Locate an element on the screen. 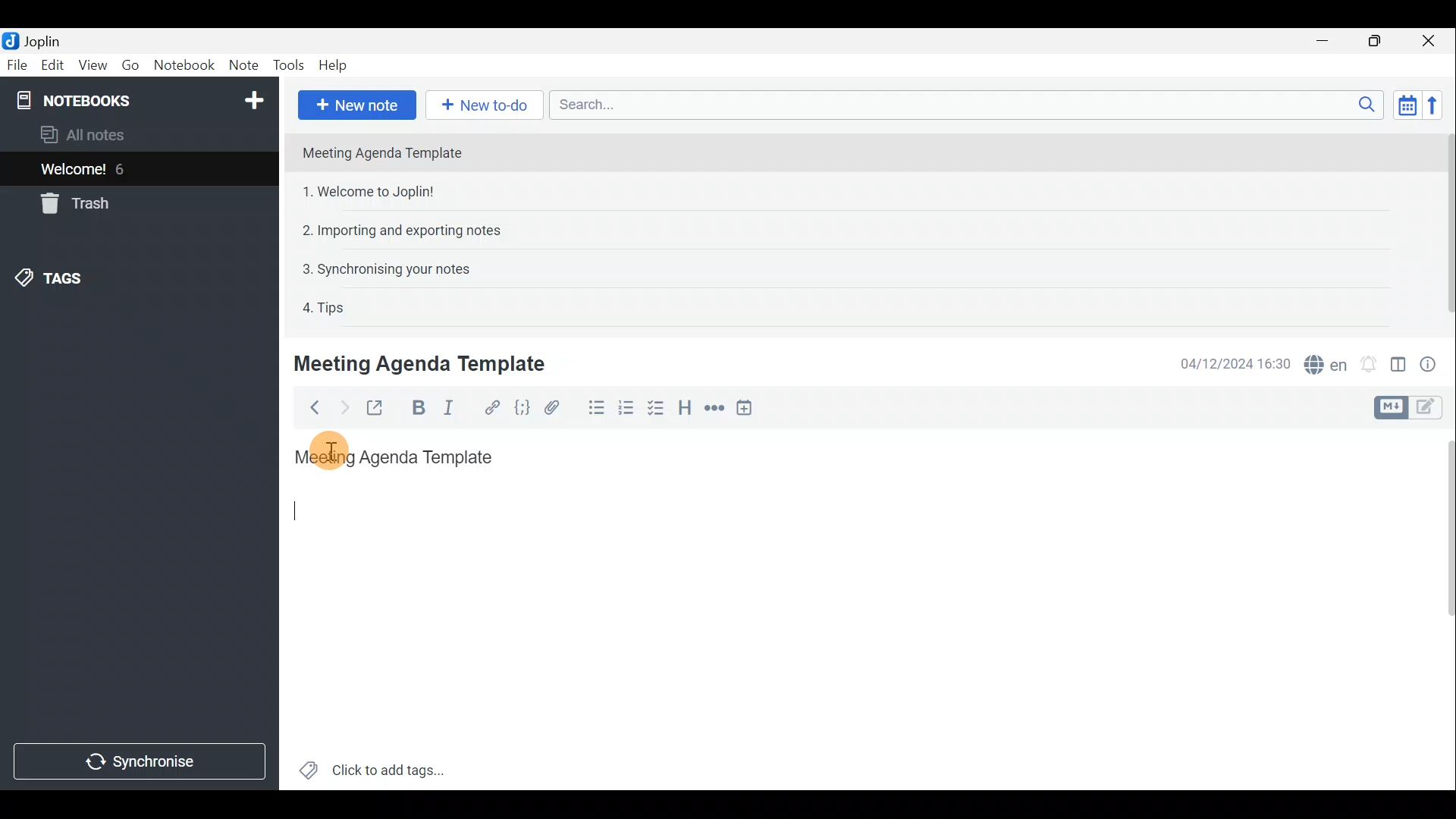 Image resolution: width=1456 pixels, height=819 pixels. Tools is located at coordinates (289, 63).